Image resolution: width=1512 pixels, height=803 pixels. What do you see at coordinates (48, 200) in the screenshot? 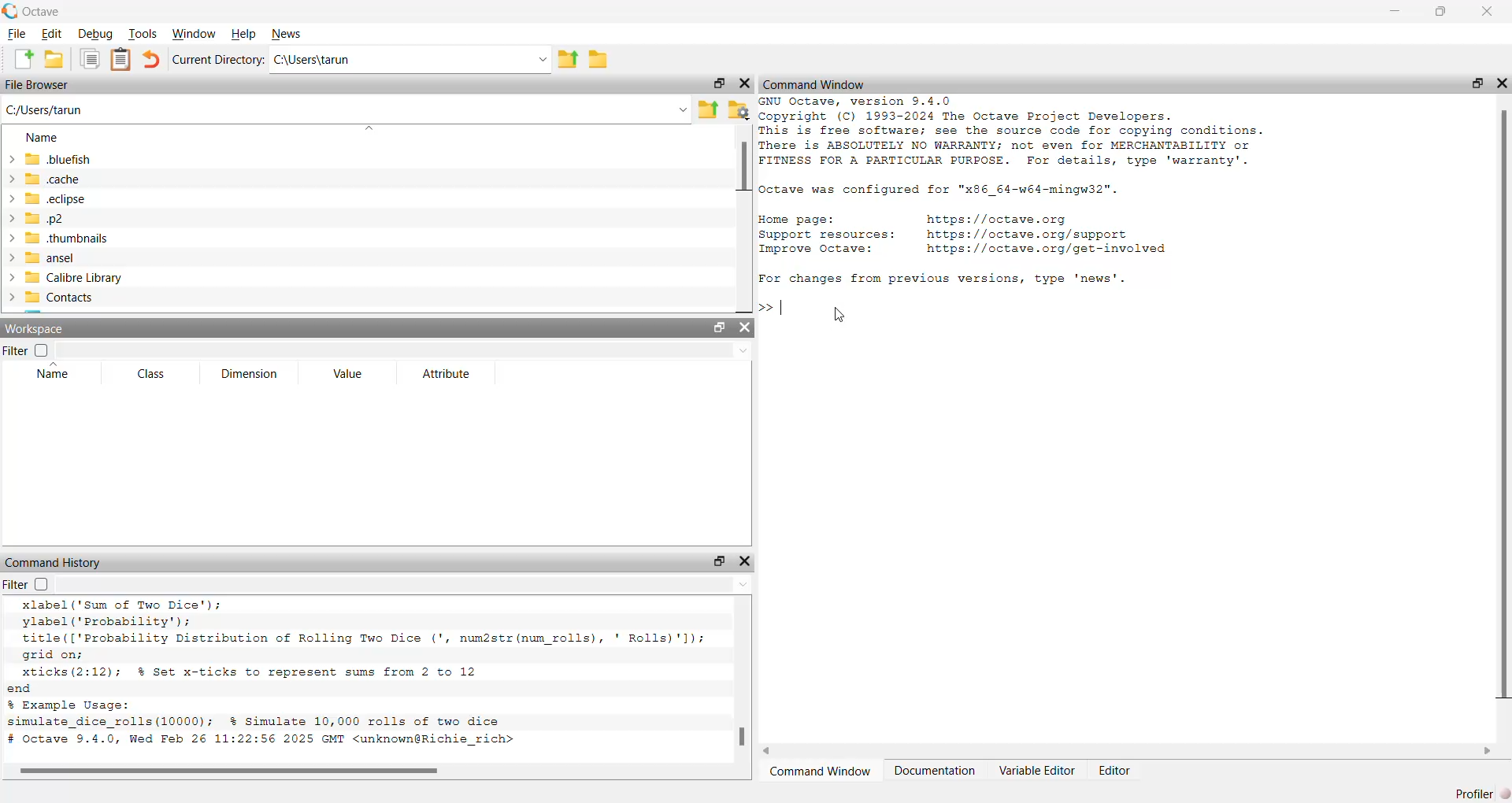
I see `.eclipse` at bounding box center [48, 200].